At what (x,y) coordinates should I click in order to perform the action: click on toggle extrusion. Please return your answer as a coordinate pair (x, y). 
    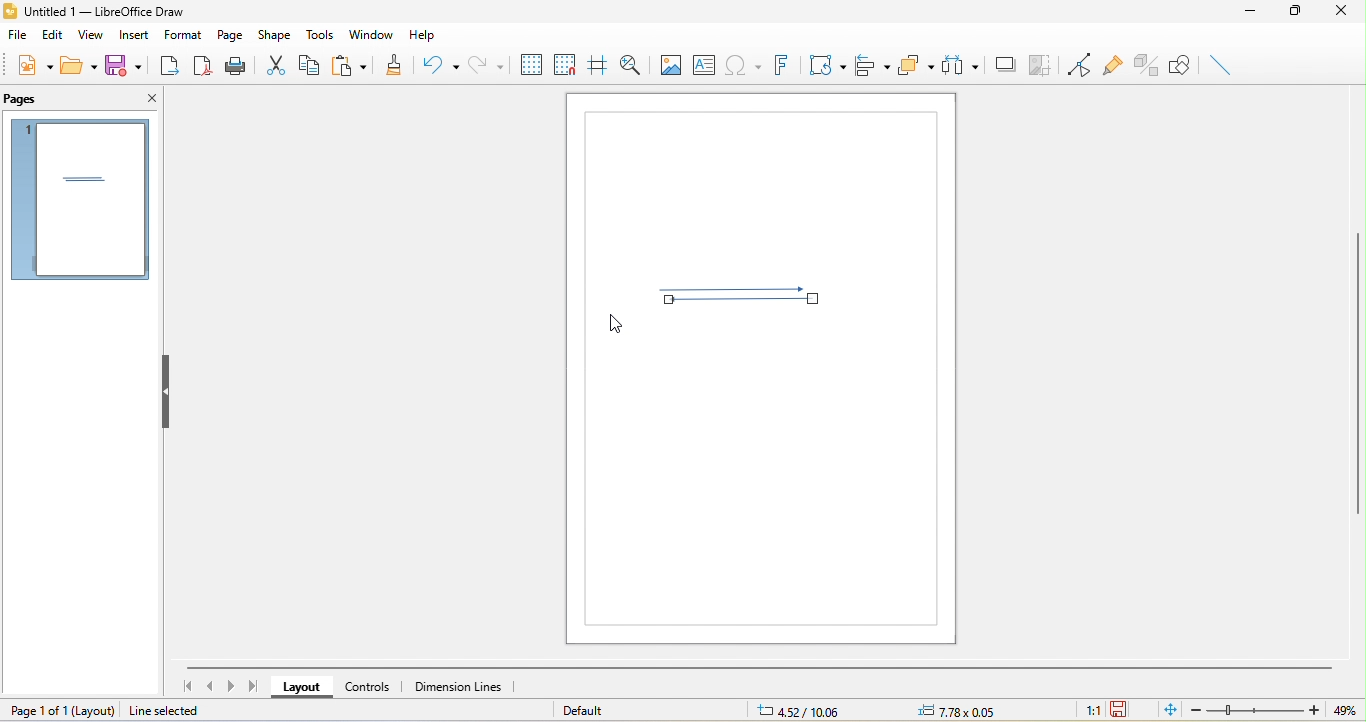
    Looking at the image, I should click on (1146, 65).